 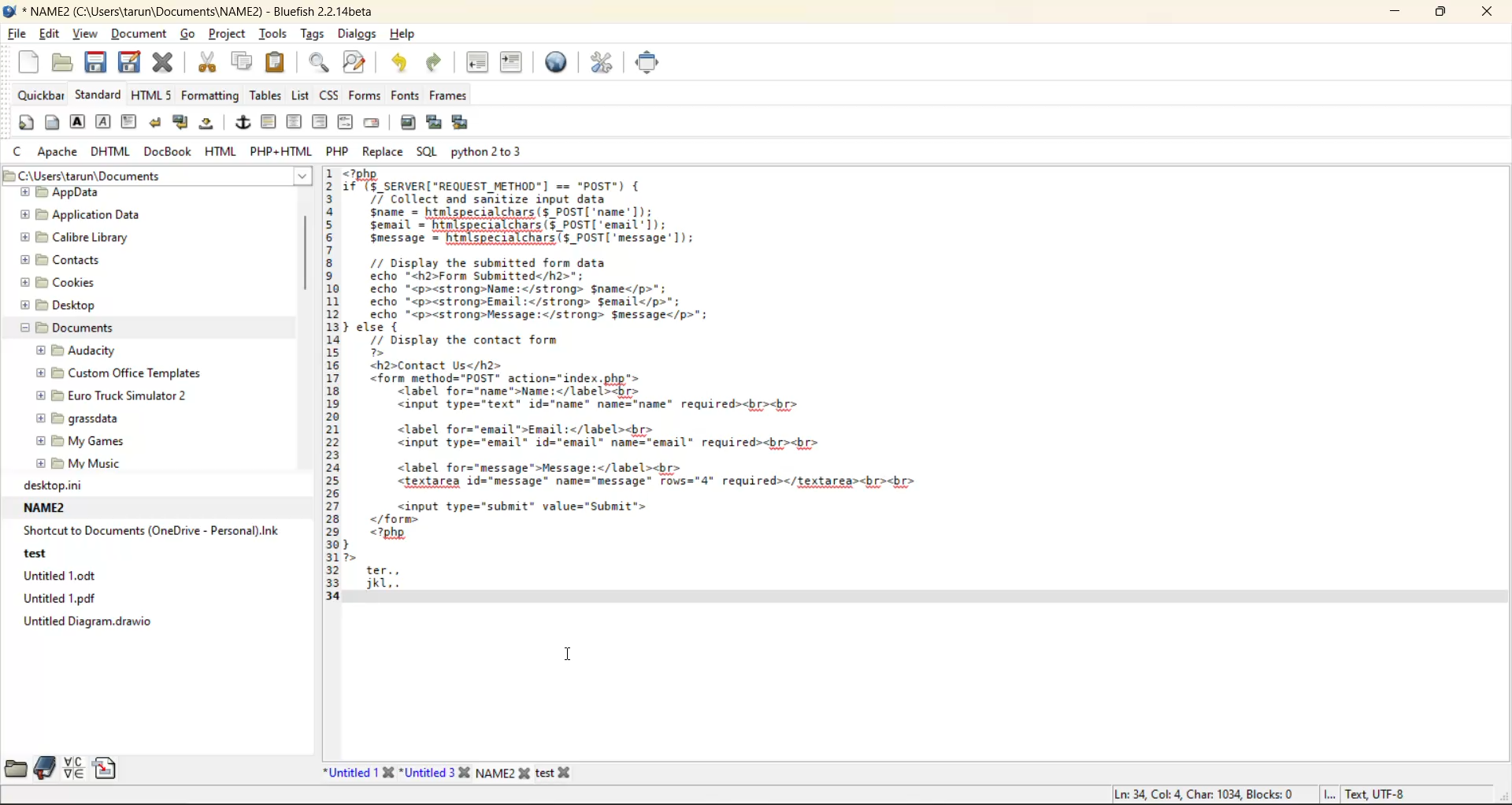 What do you see at coordinates (65, 193) in the screenshot?
I see `AppData` at bounding box center [65, 193].